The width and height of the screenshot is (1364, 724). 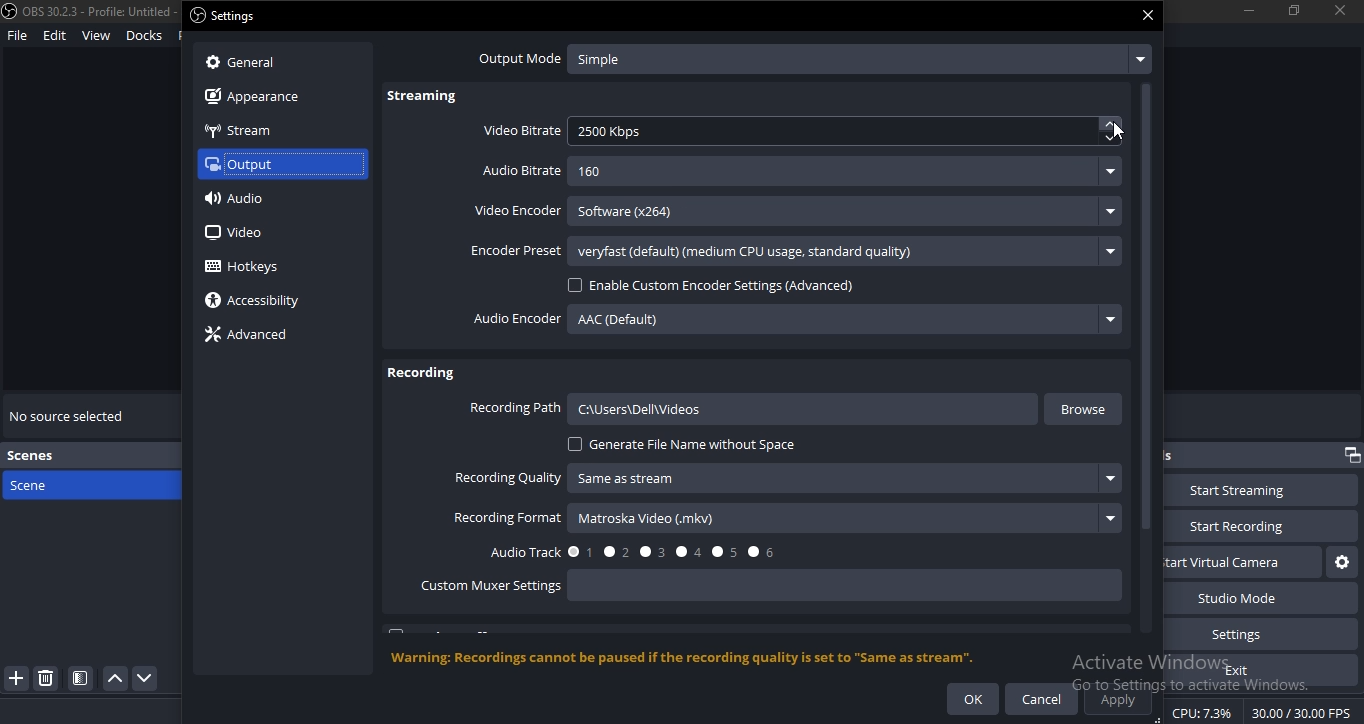 I want to click on accessiblity, so click(x=256, y=301).